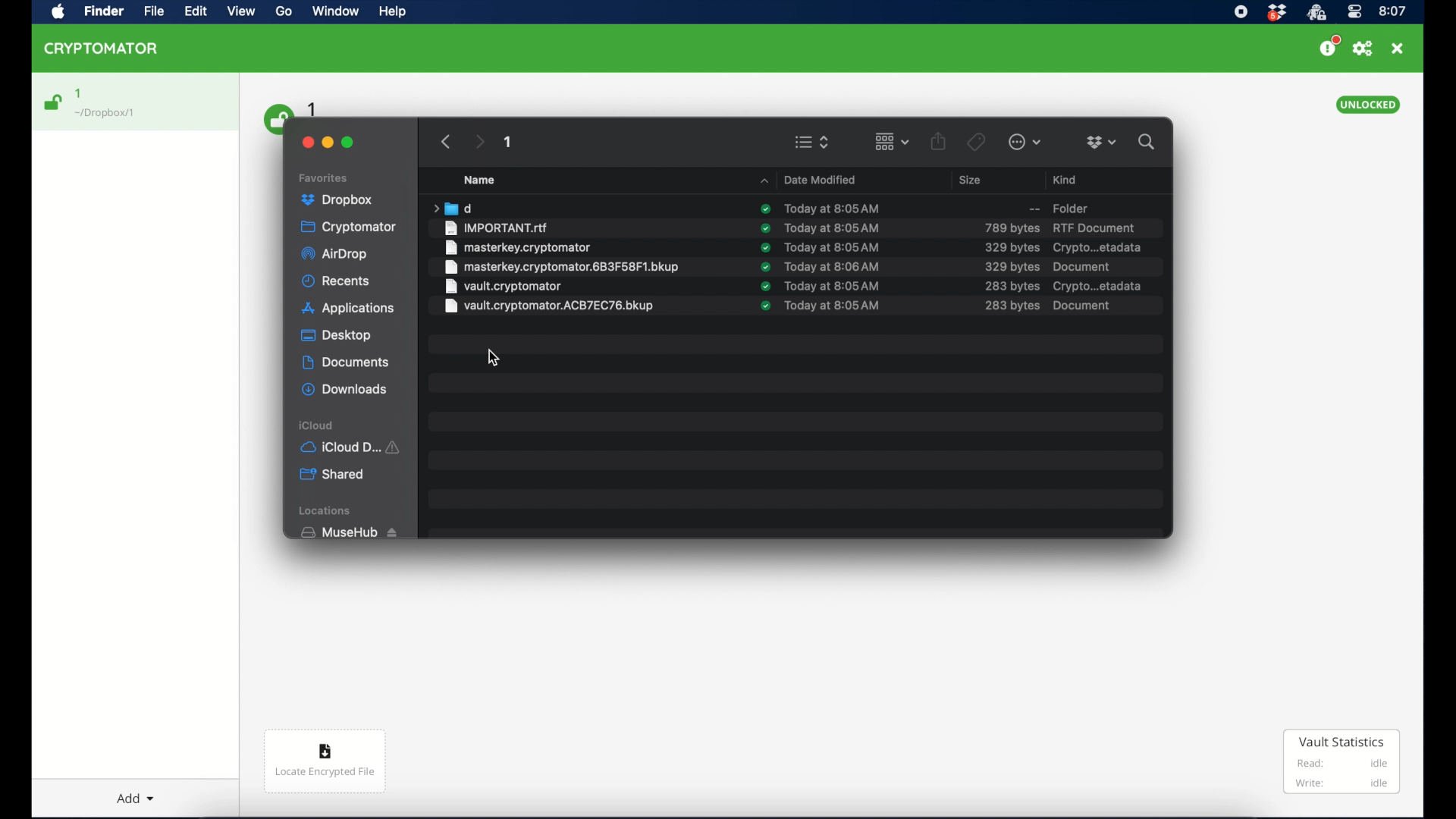 The height and width of the screenshot is (819, 1456). I want to click on file name, so click(503, 286).